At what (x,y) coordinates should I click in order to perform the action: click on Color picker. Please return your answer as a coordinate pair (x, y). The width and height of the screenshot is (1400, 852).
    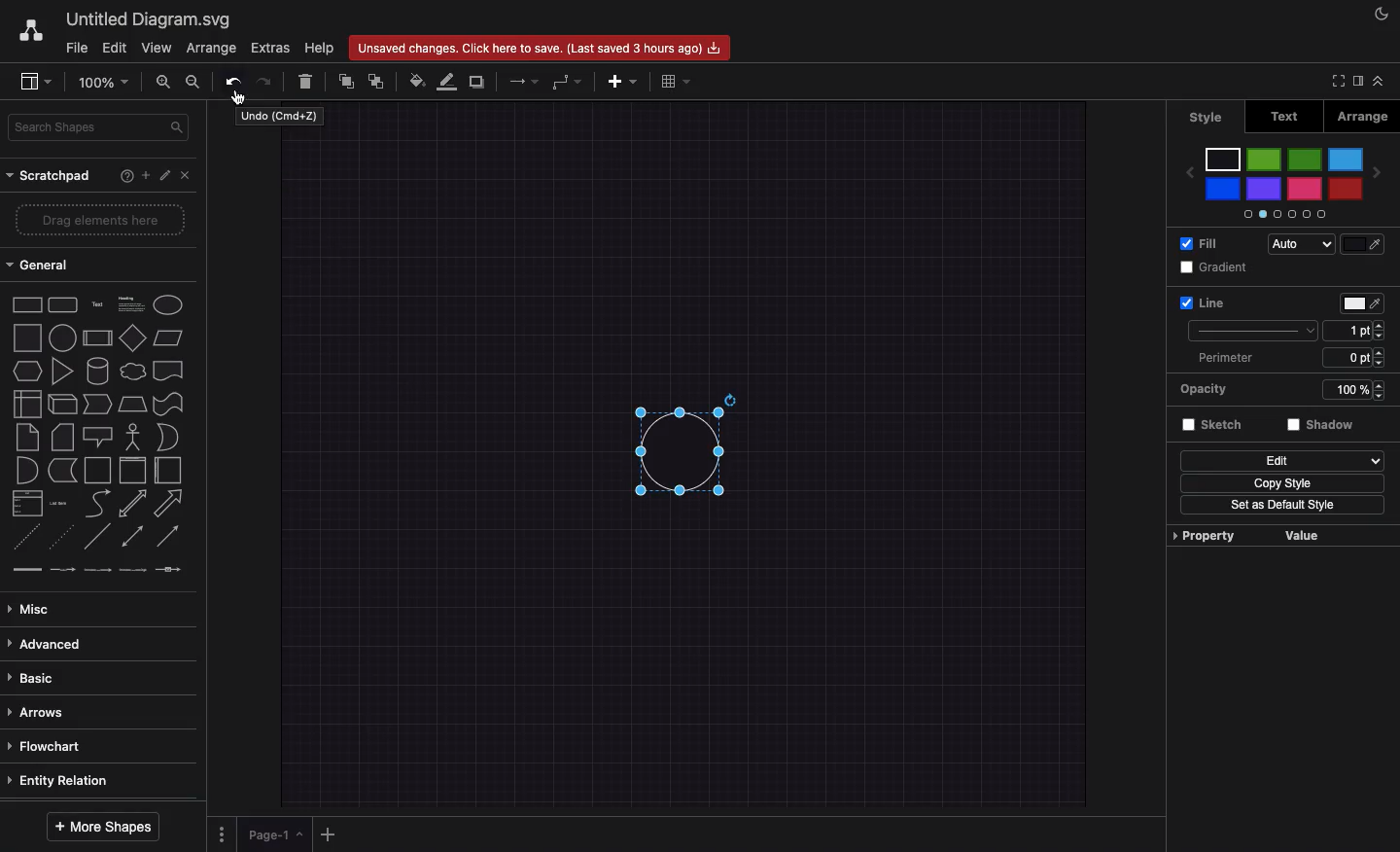
    Looking at the image, I should click on (1364, 247).